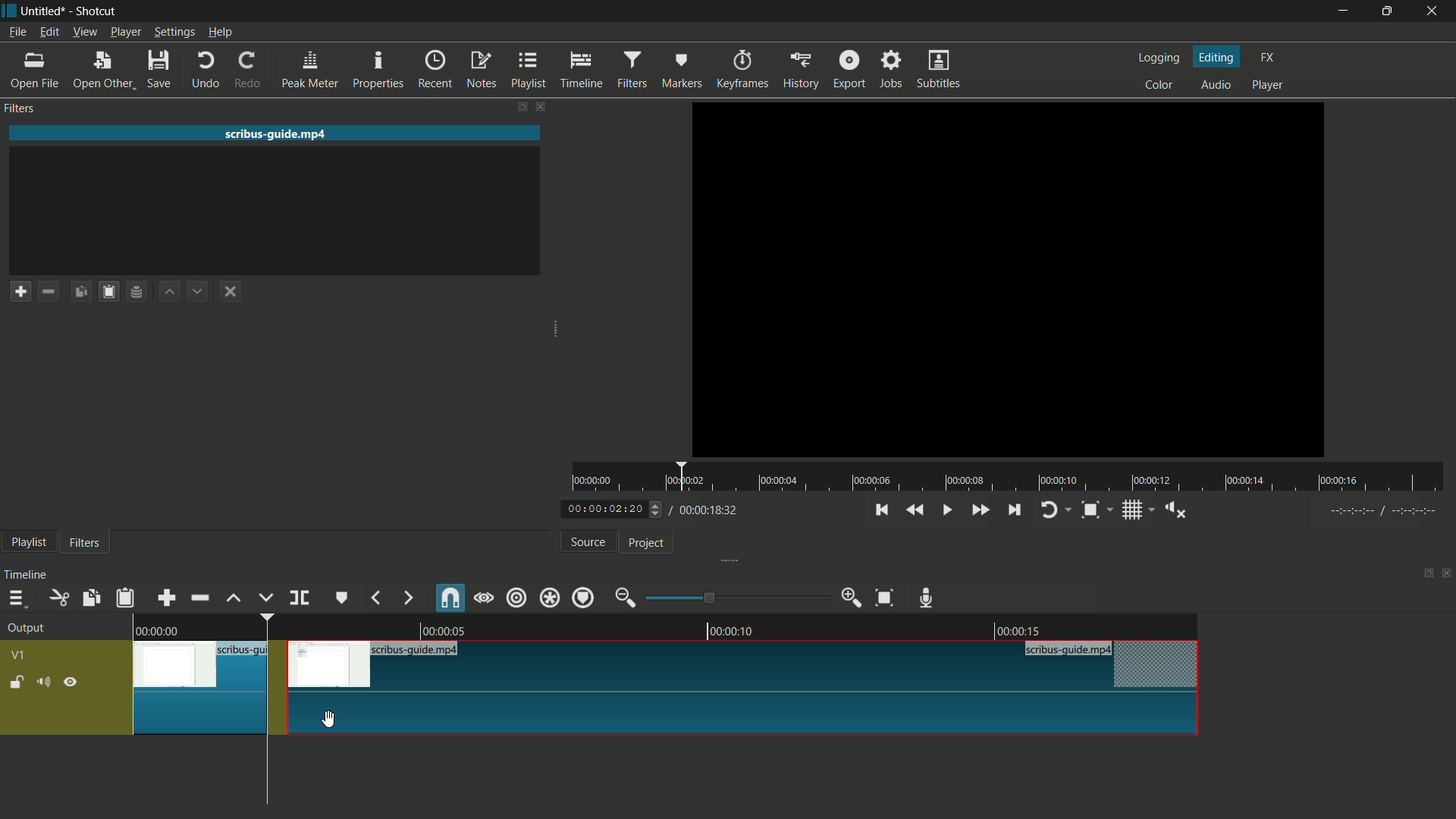 This screenshot has height=819, width=1456. What do you see at coordinates (166, 598) in the screenshot?
I see `append` at bounding box center [166, 598].